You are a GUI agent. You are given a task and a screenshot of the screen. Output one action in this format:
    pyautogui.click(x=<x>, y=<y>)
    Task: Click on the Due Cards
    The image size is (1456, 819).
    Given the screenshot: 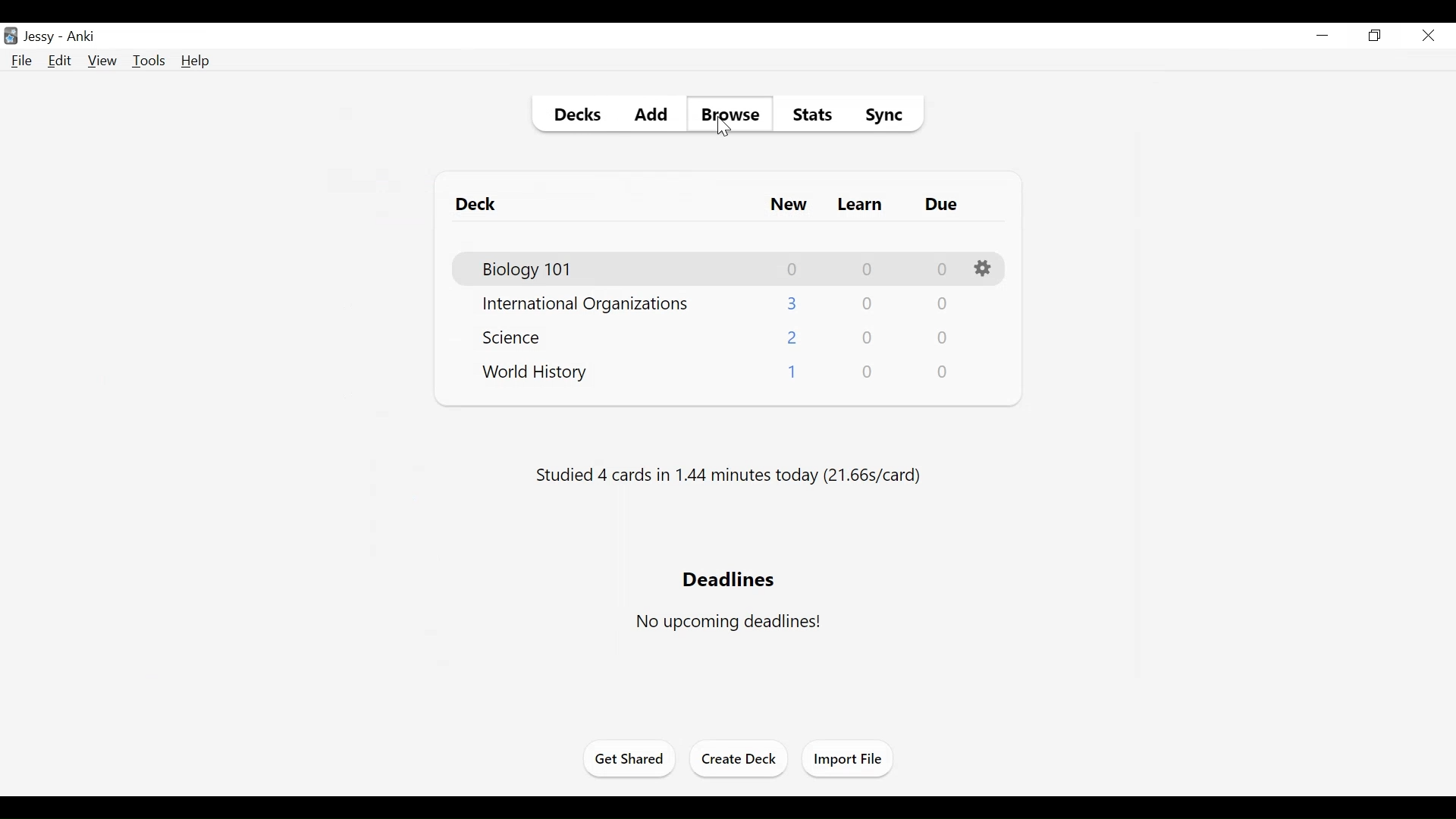 What is the action you would take?
    pyautogui.click(x=941, y=205)
    